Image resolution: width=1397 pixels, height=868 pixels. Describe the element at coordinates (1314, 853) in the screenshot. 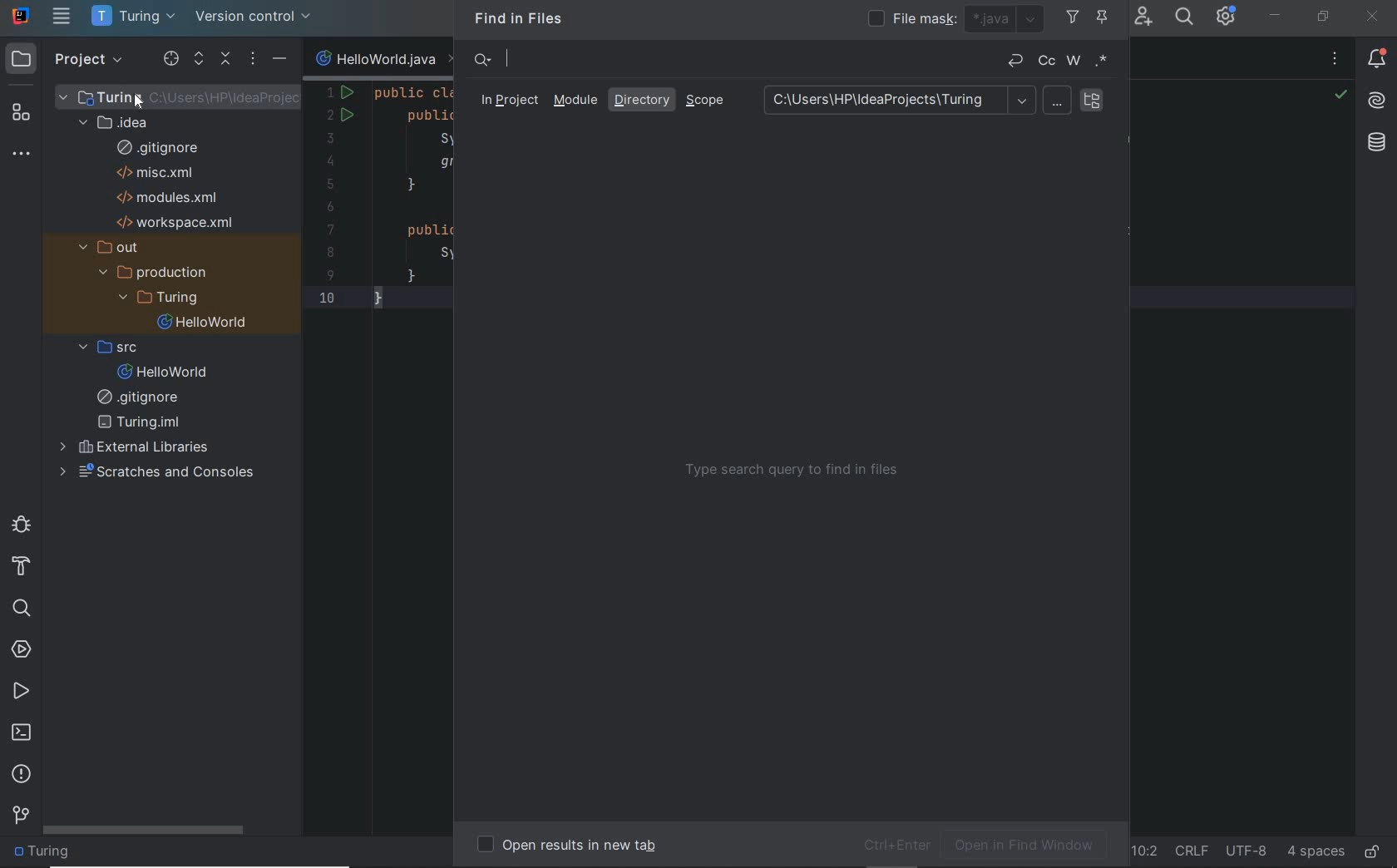

I see `indent` at that location.